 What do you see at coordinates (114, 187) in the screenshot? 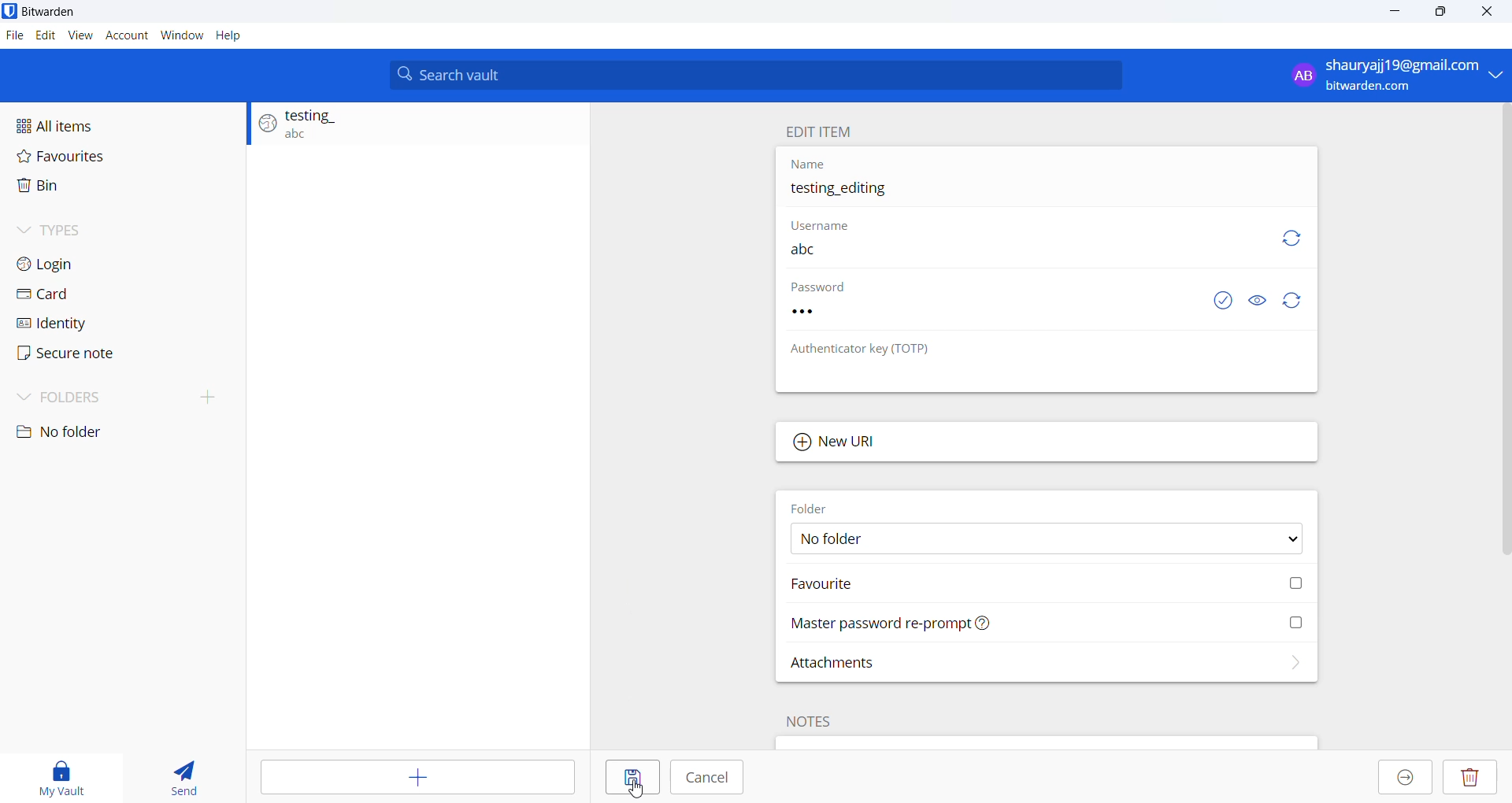
I see `Bin` at bounding box center [114, 187].